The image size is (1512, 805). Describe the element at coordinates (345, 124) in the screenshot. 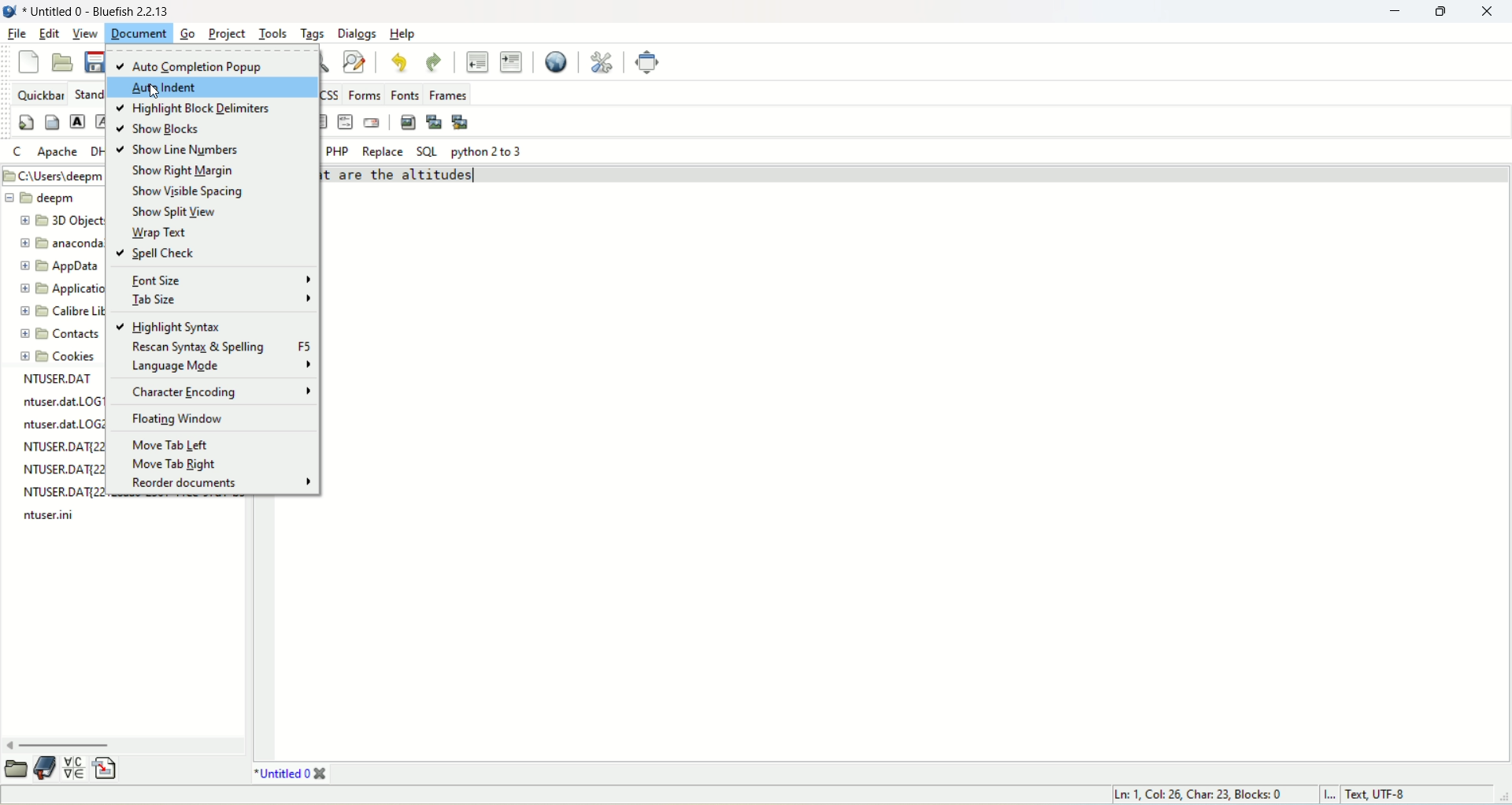

I see `HTML comment` at that location.